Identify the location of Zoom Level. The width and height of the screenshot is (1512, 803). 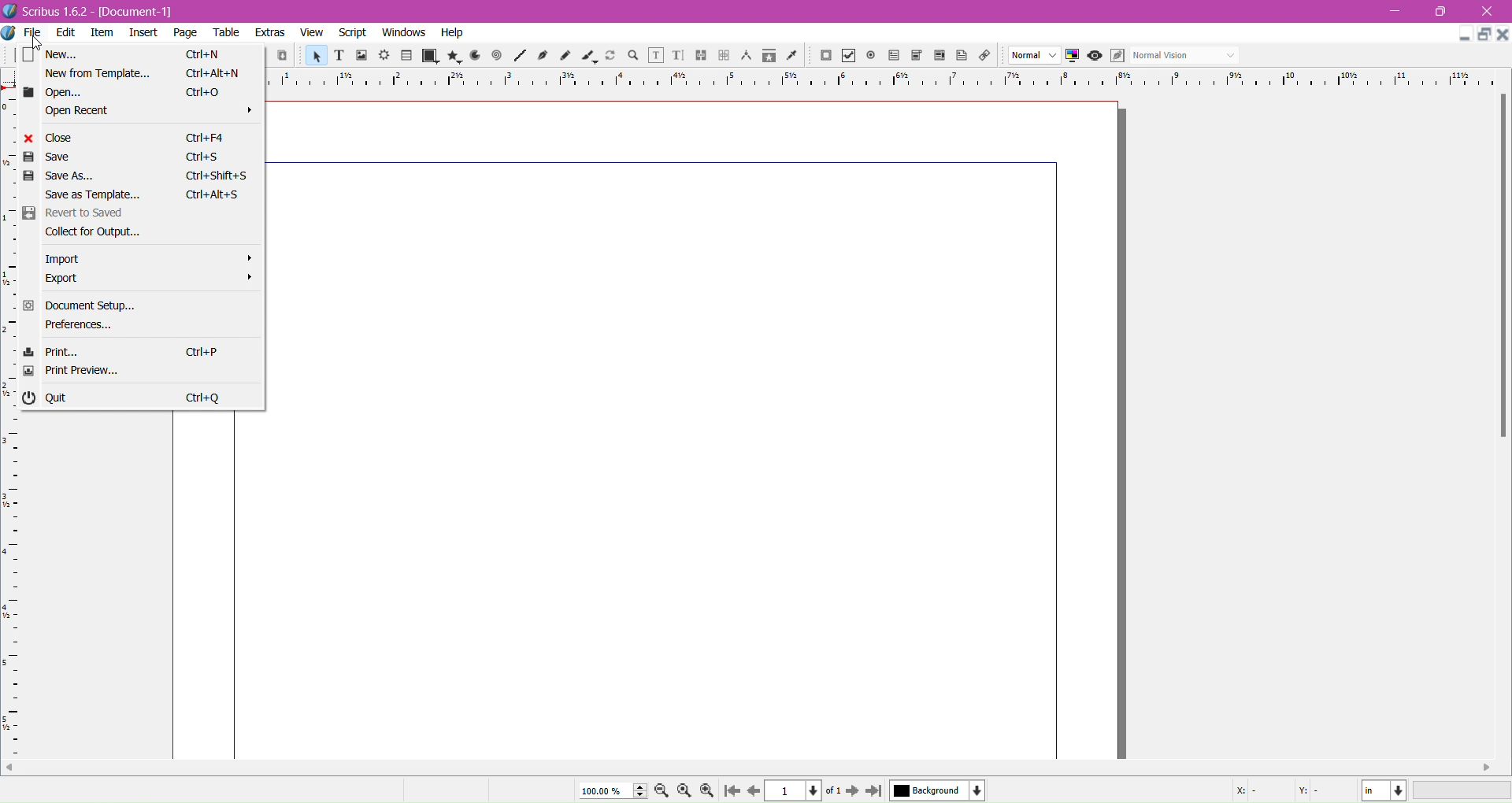
(1461, 790).